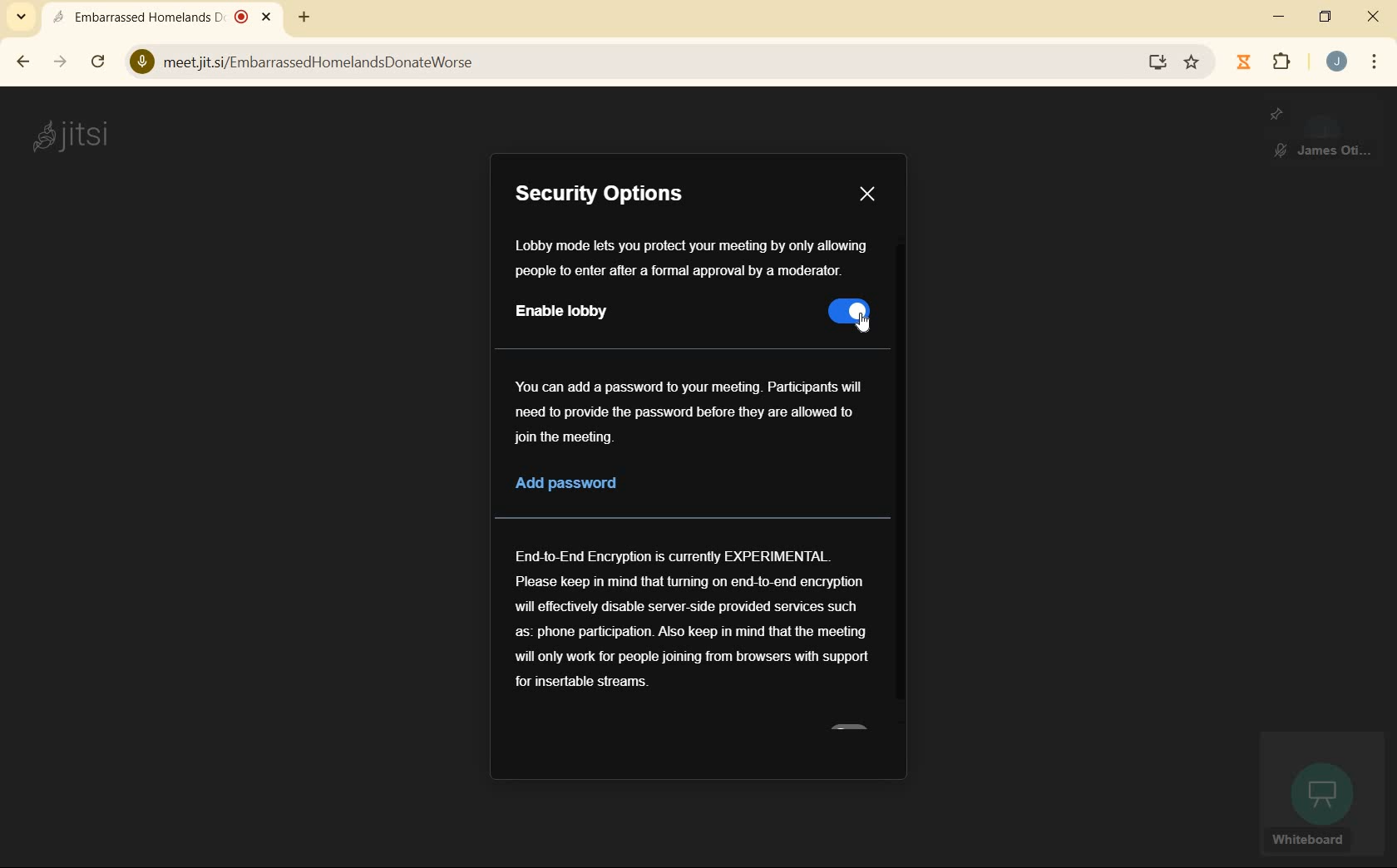 The height and width of the screenshot is (868, 1397). What do you see at coordinates (901, 476) in the screenshot?
I see `scrollbar` at bounding box center [901, 476].